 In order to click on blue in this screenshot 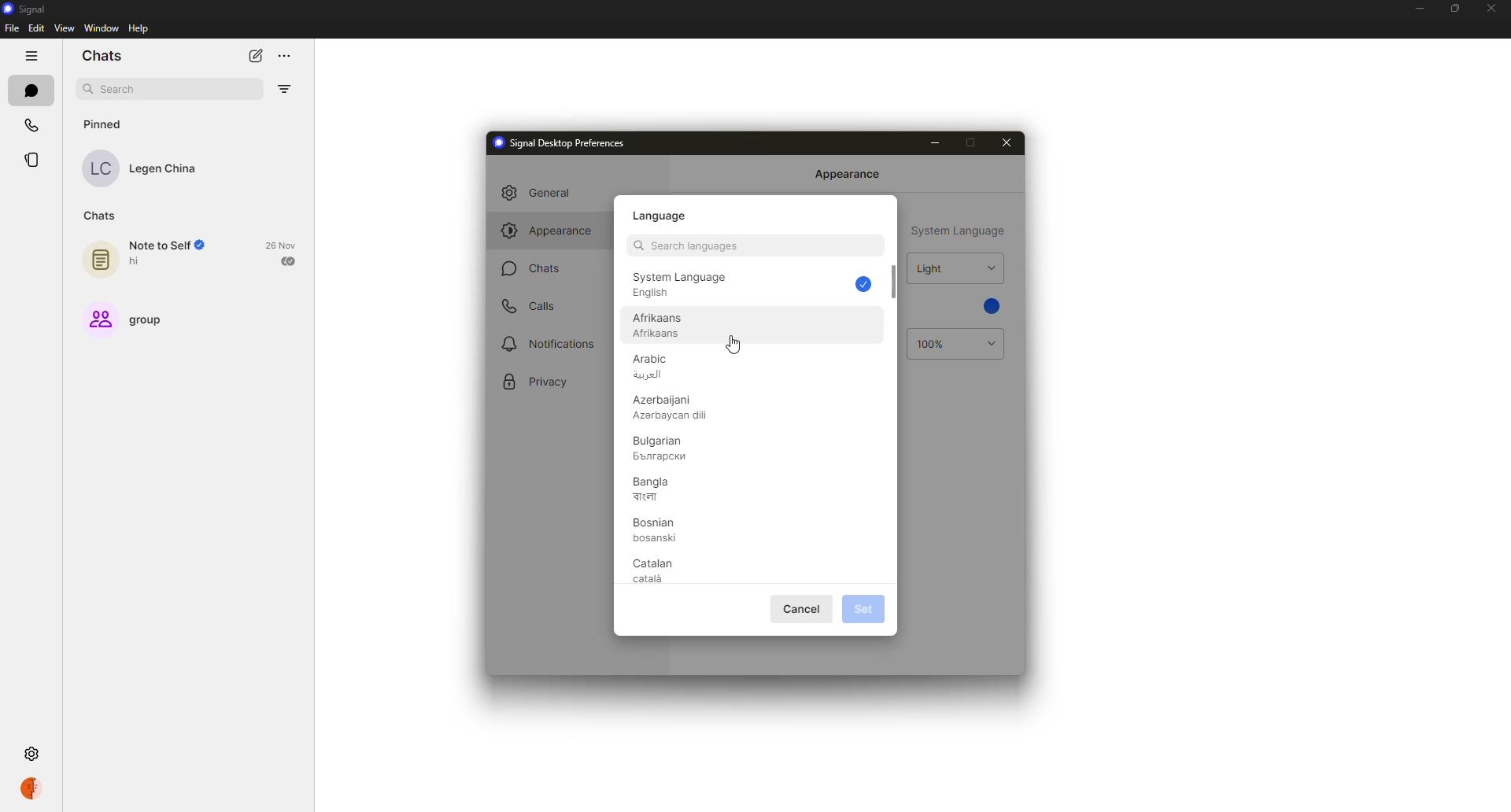, I will do `click(991, 305)`.